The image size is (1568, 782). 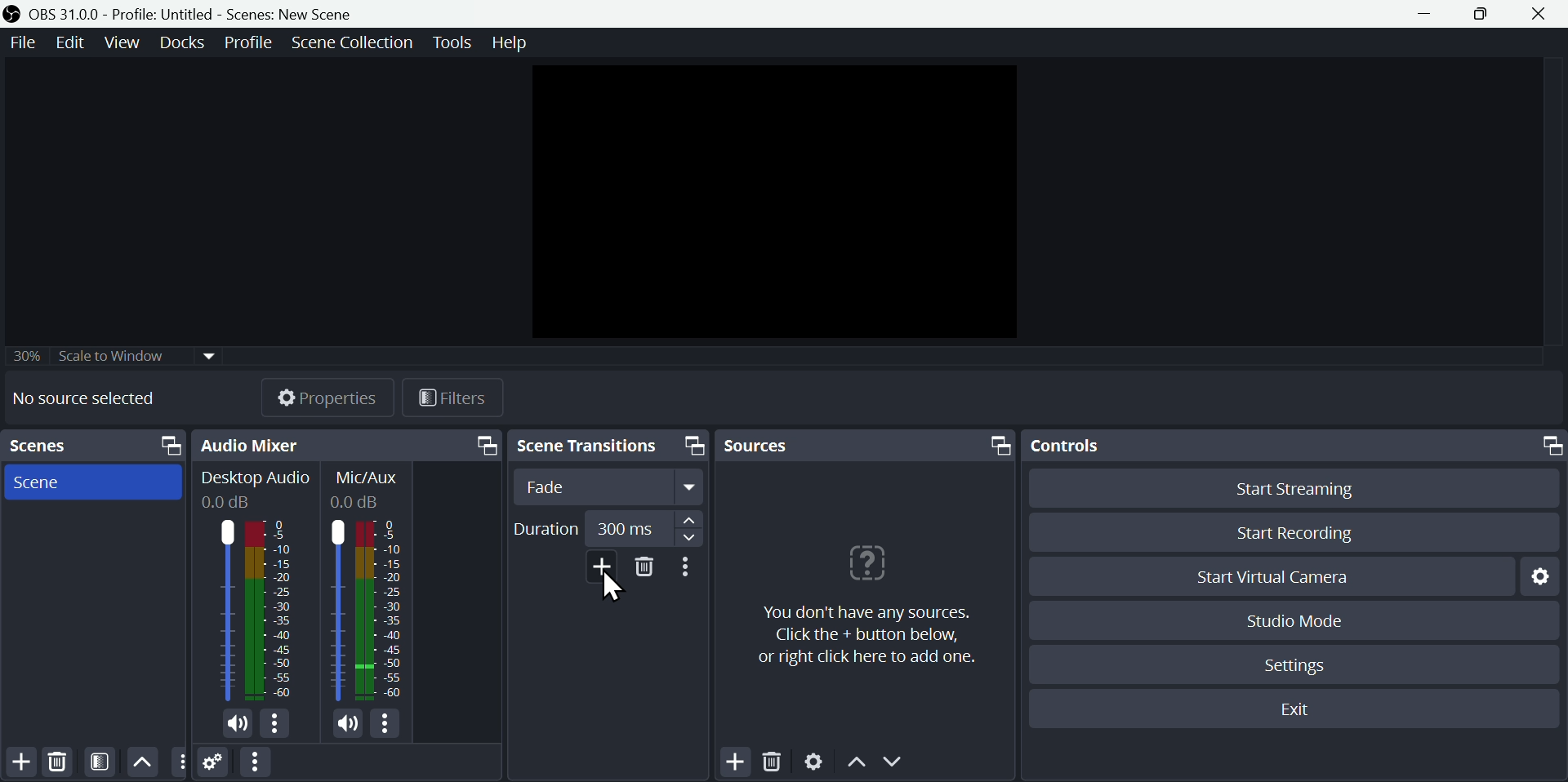 I want to click on Desktop Audio, so click(x=254, y=488).